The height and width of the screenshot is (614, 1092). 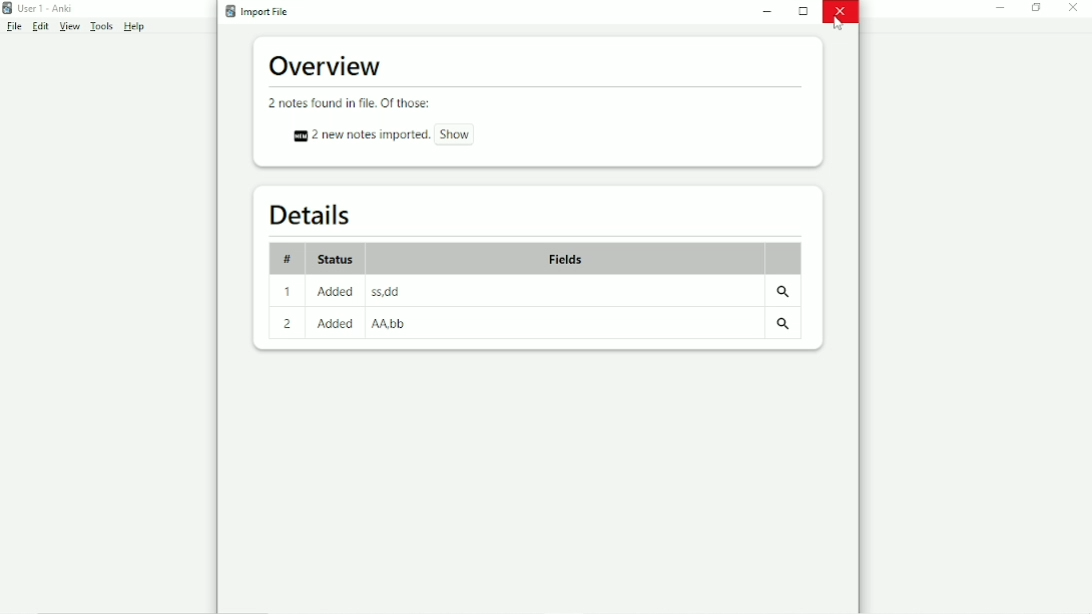 What do you see at coordinates (1036, 8) in the screenshot?
I see `Restore down` at bounding box center [1036, 8].